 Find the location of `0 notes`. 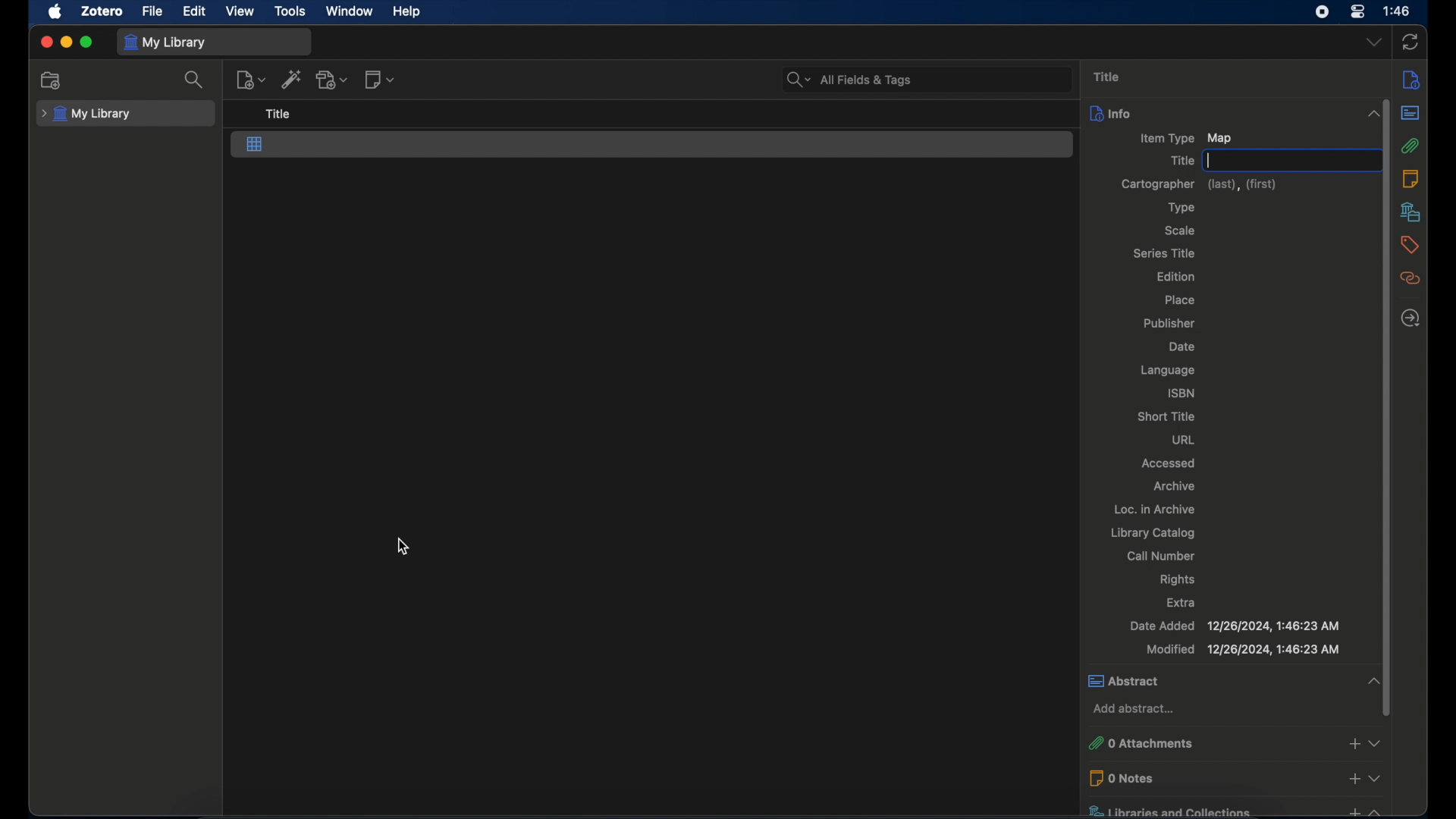

0 notes is located at coordinates (1210, 779).